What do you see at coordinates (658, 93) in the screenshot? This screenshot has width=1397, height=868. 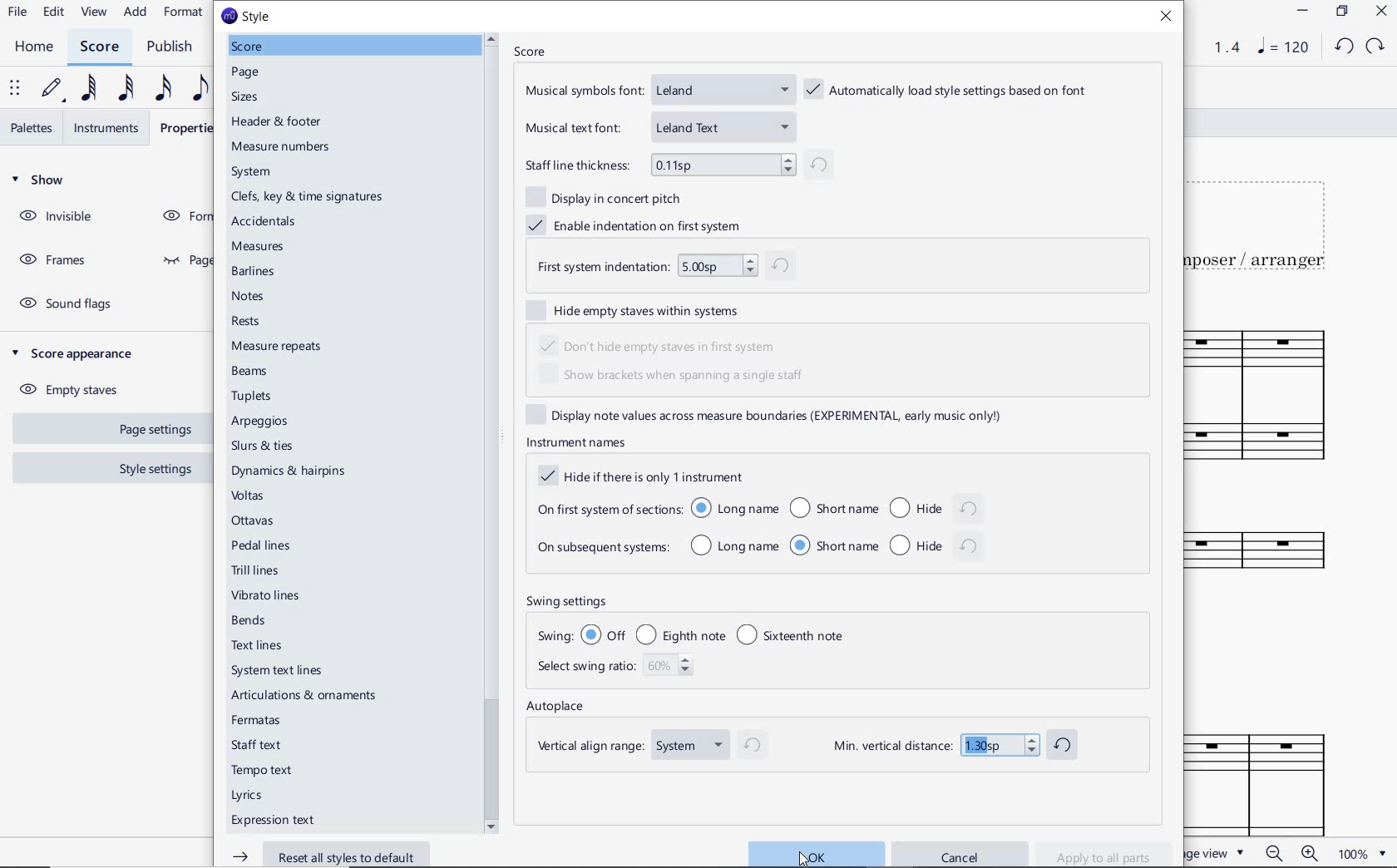 I see `MUSICAL SYMNBOLS FONT` at bounding box center [658, 93].